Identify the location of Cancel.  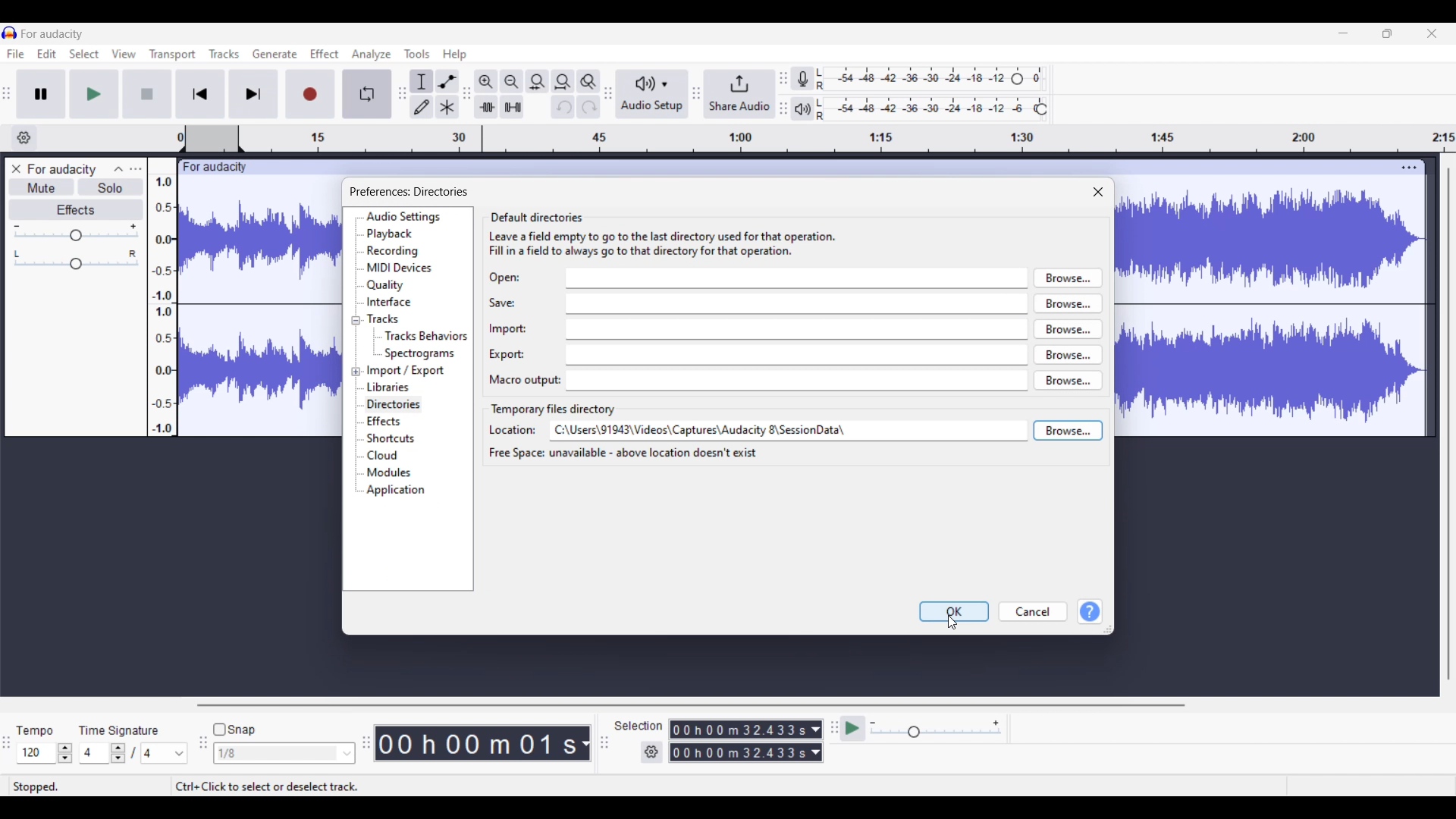
(1034, 612).